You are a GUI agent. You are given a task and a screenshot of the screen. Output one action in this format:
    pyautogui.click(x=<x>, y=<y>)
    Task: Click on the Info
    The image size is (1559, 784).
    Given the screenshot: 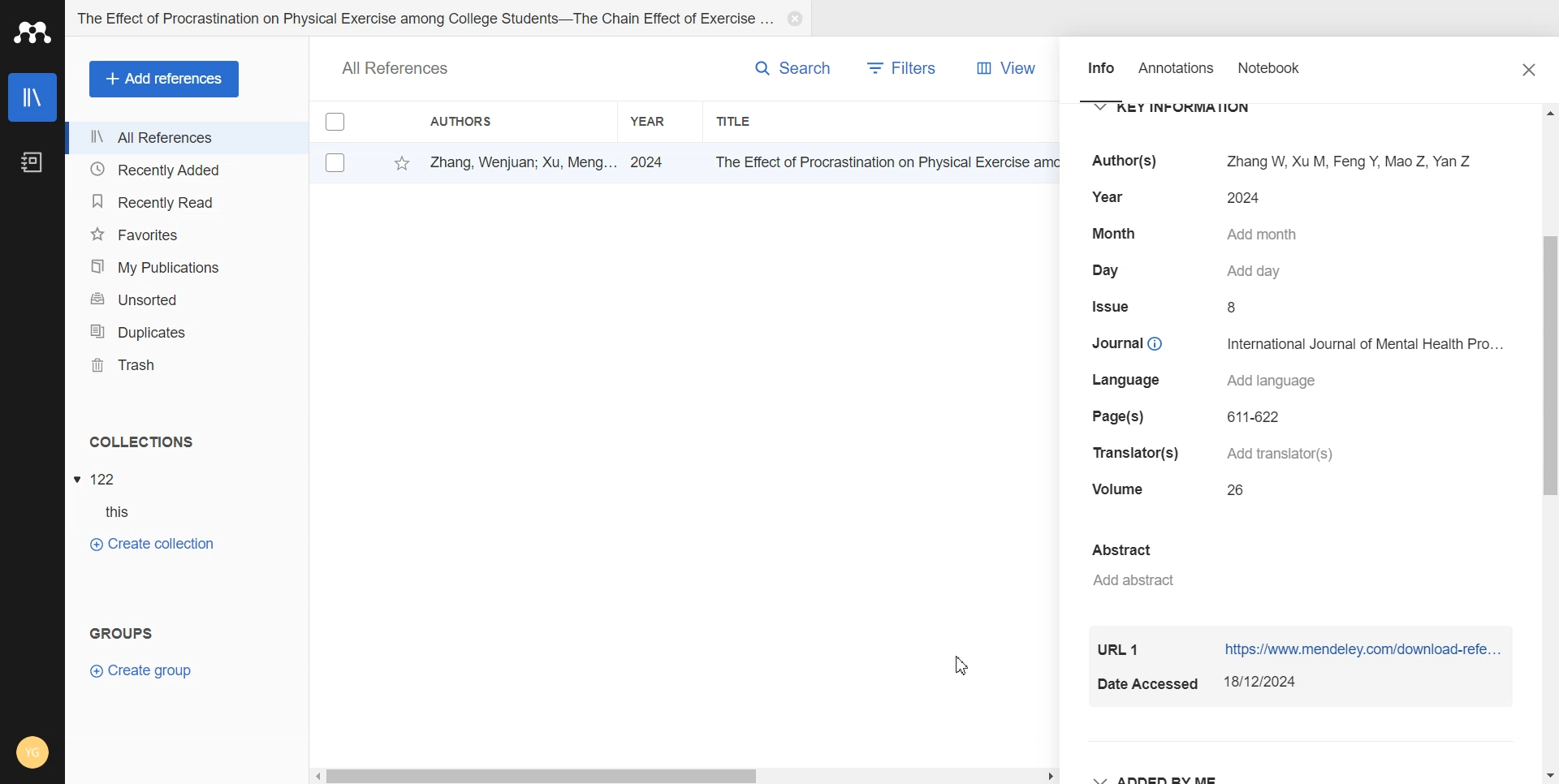 What is the action you would take?
    pyautogui.click(x=1099, y=75)
    